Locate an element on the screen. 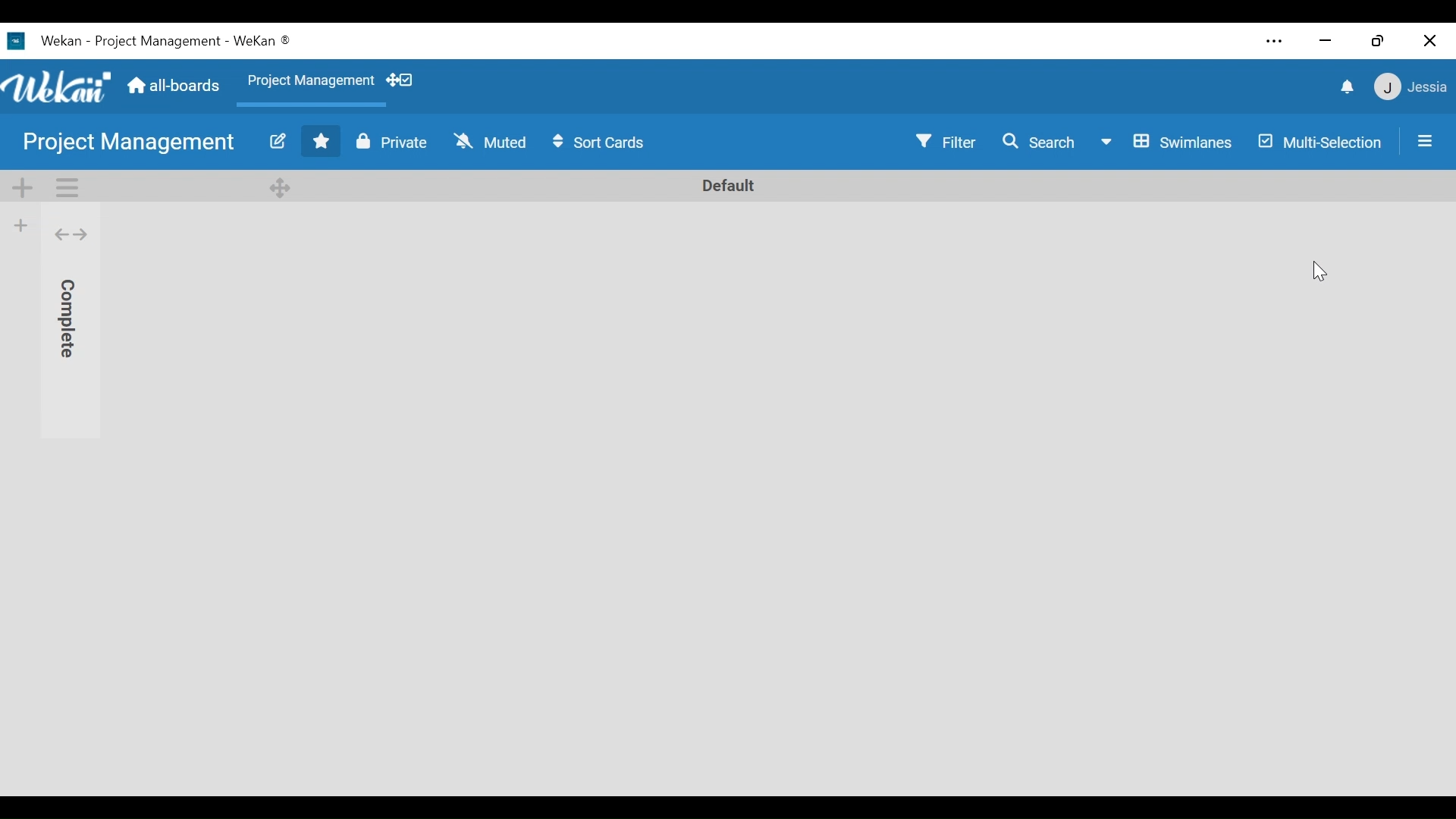  Board View is located at coordinates (1168, 142).